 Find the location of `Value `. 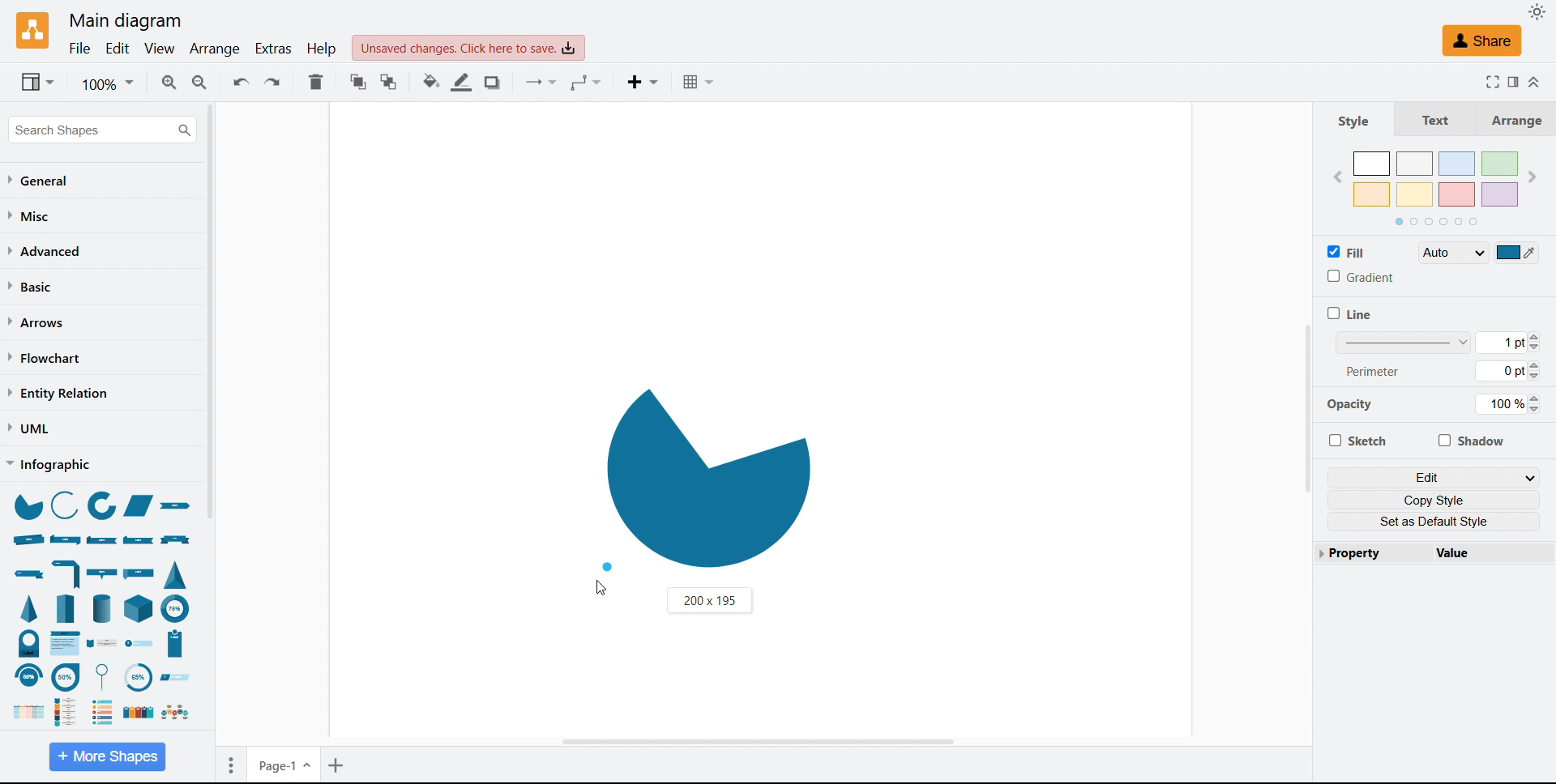

Value  is located at coordinates (1486, 552).